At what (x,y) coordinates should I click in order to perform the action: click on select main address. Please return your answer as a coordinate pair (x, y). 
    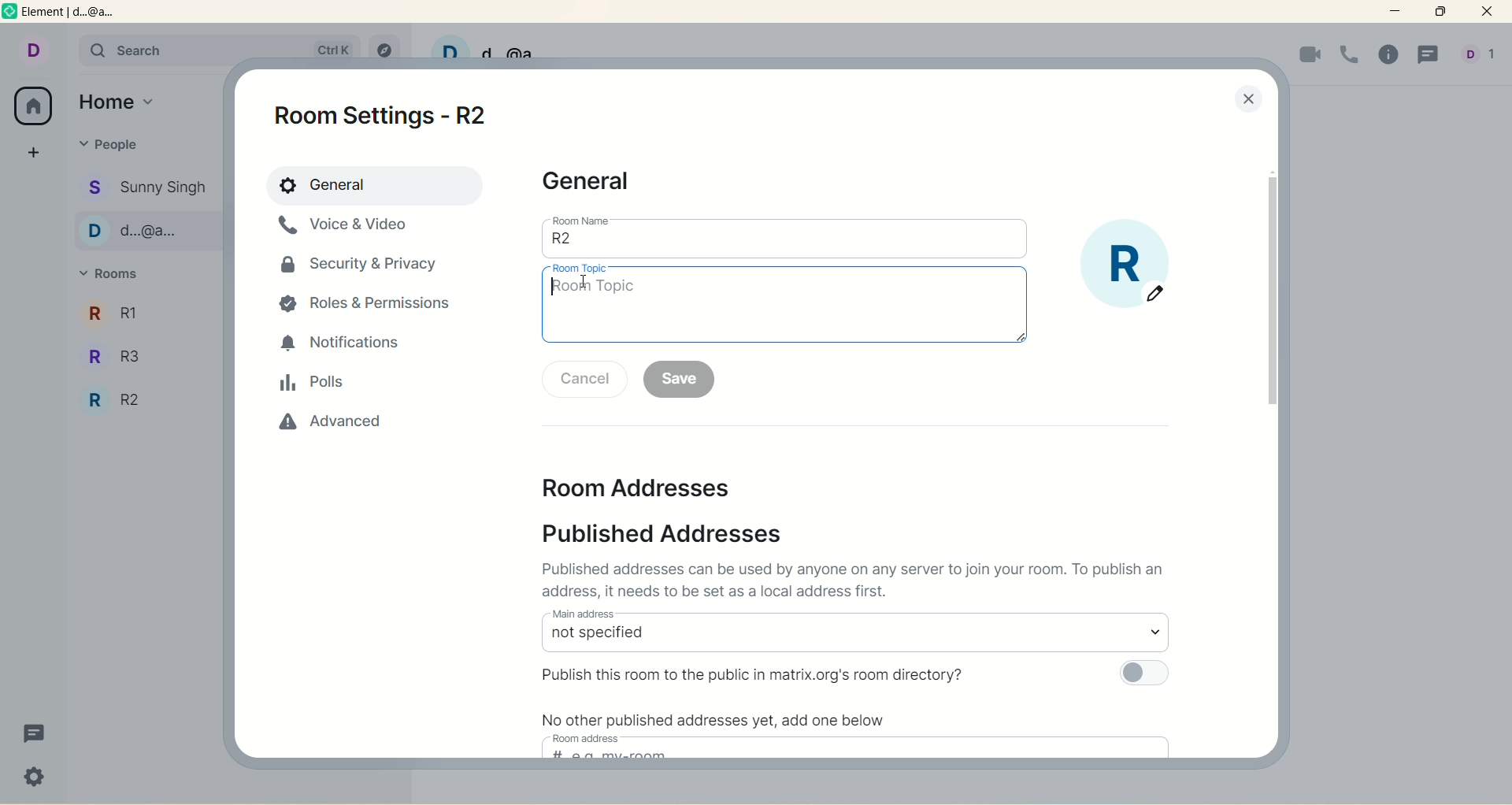
    Looking at the image, I should click on (854, 639).